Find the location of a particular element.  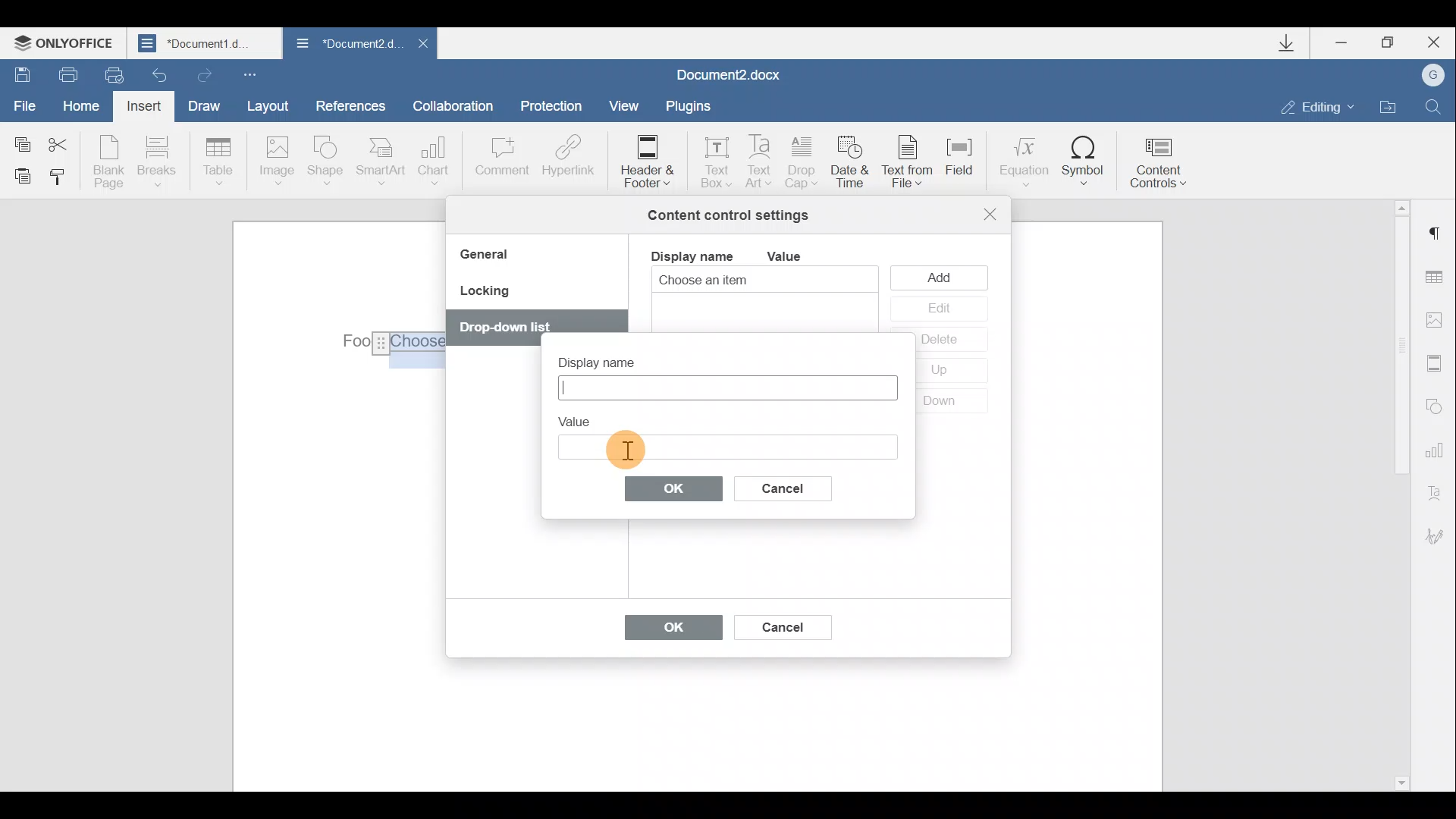

Minimize is located at coordinates (1348, 45).